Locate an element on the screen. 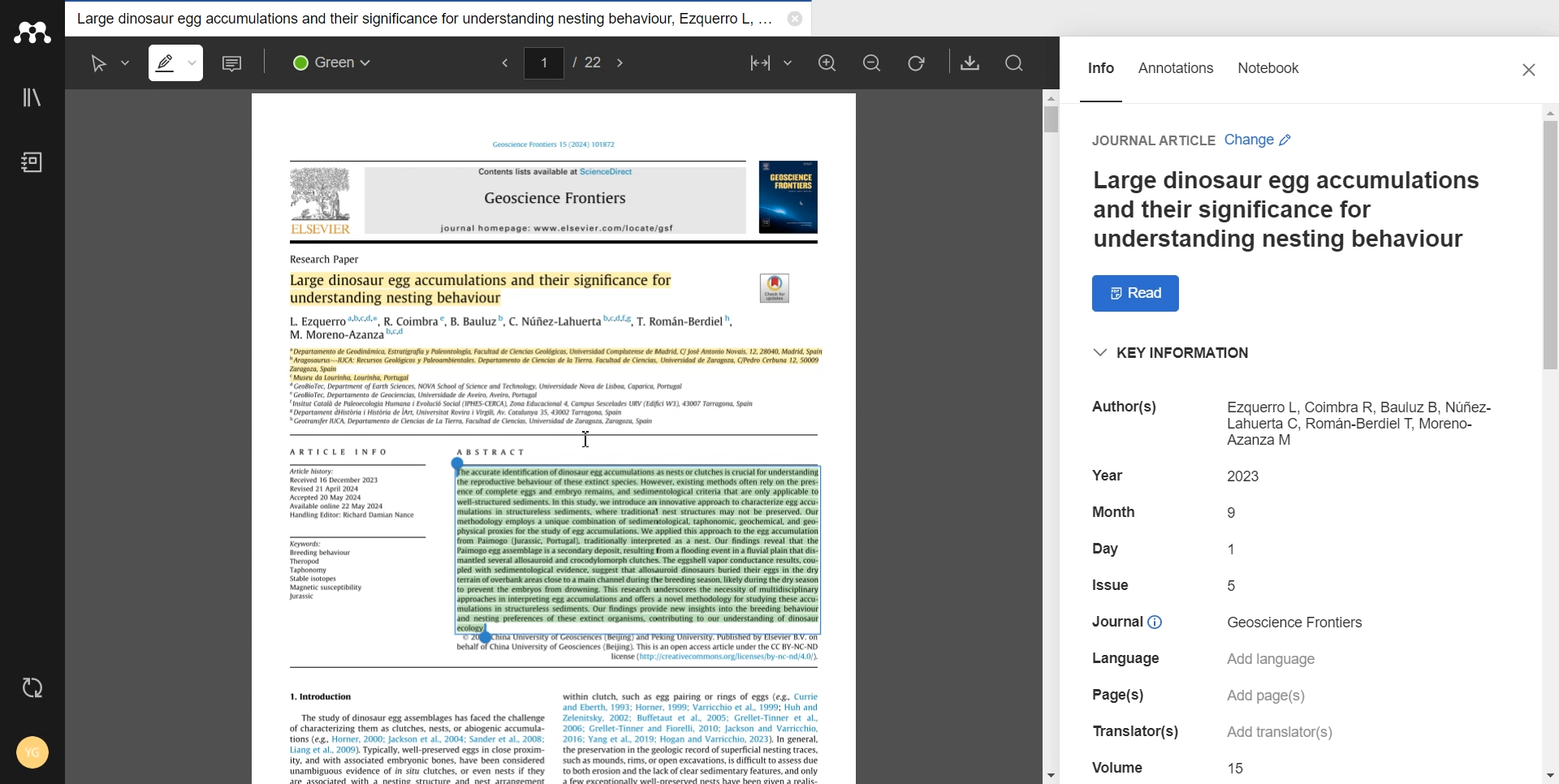 This screenshot has height=784, width=1559. text section is located at coordinates (555, 727).